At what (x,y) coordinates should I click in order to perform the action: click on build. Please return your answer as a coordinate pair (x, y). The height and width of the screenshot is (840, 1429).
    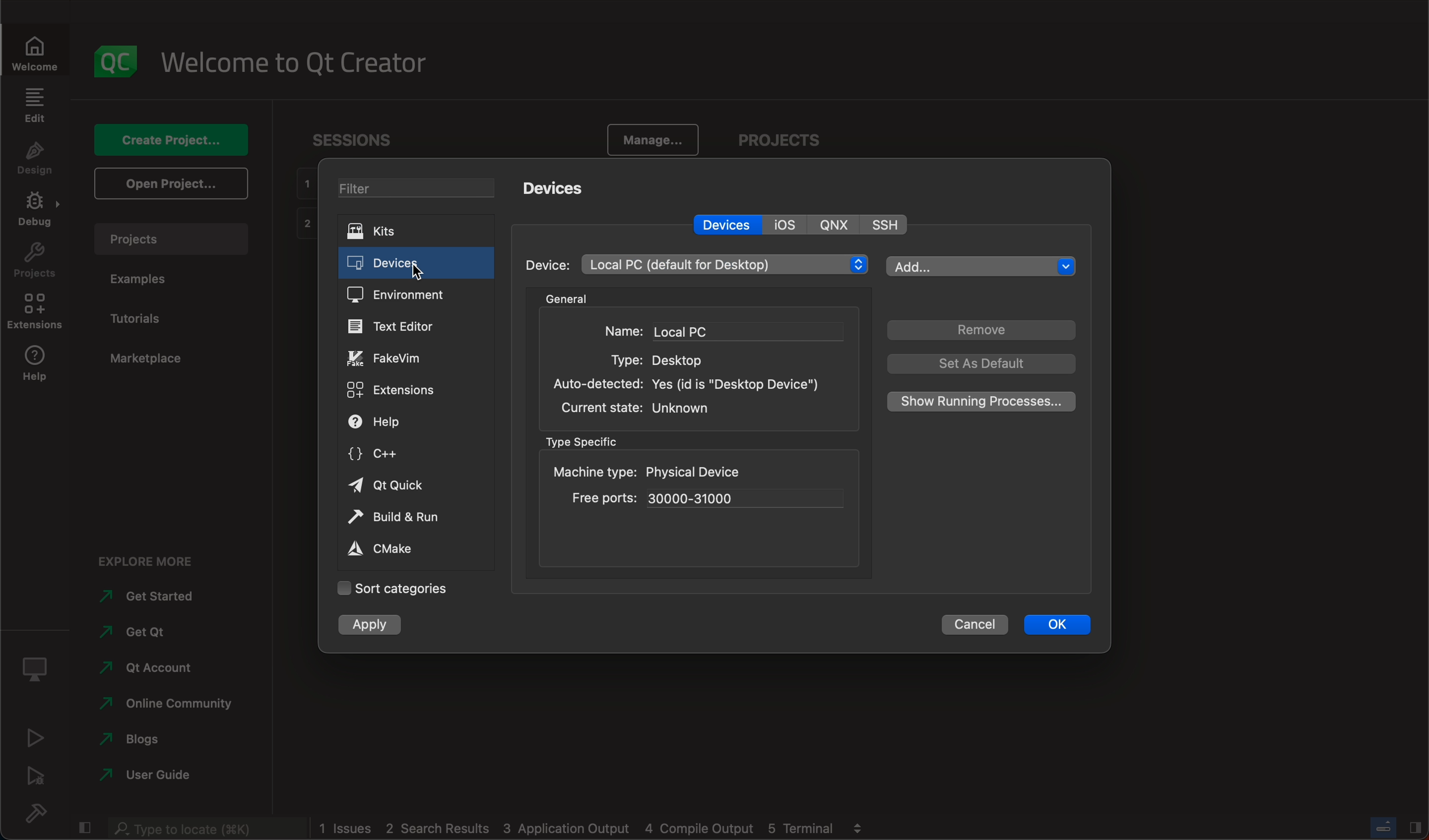
    Looking at the image, I should click on (40, 813).